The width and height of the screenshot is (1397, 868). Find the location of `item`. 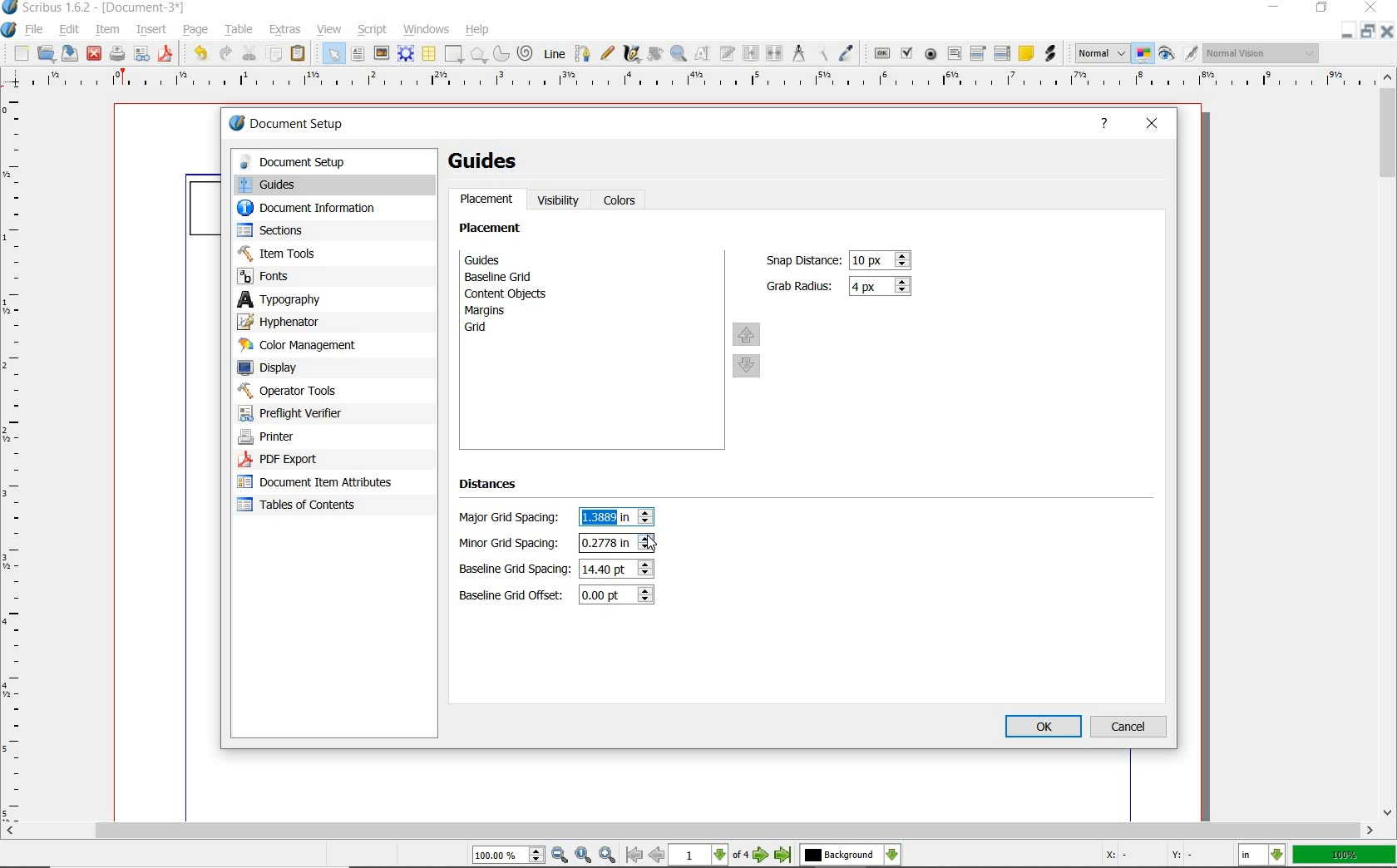

item is located at coordinates (107, 31).